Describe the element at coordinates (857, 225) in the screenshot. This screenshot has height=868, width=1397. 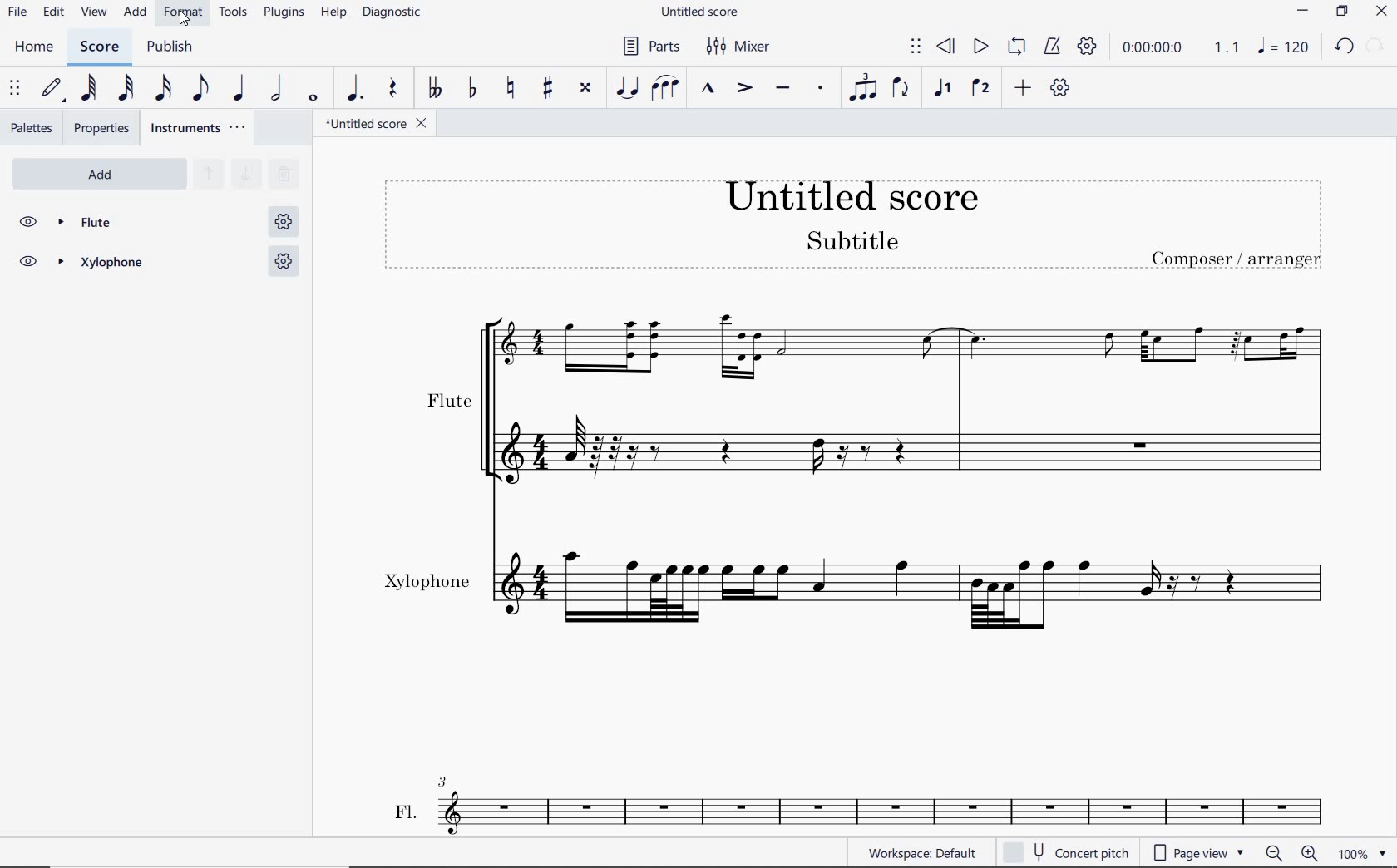
I see `TITLE` at that location.